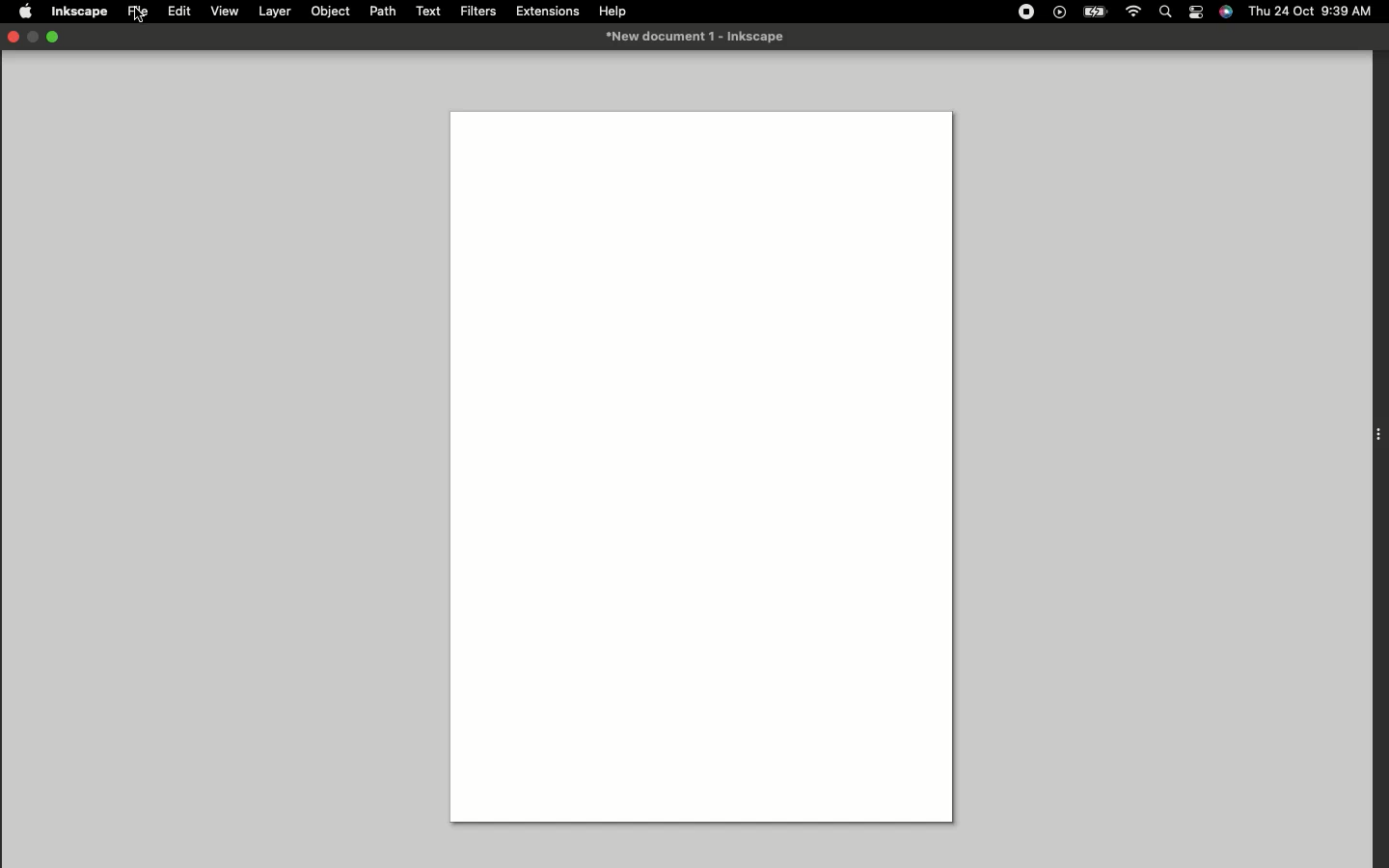 This screenshot has width=1389, height=868. Describe the element at coordinates (478, 12) in the screenshot. I see `Filters` at that location.